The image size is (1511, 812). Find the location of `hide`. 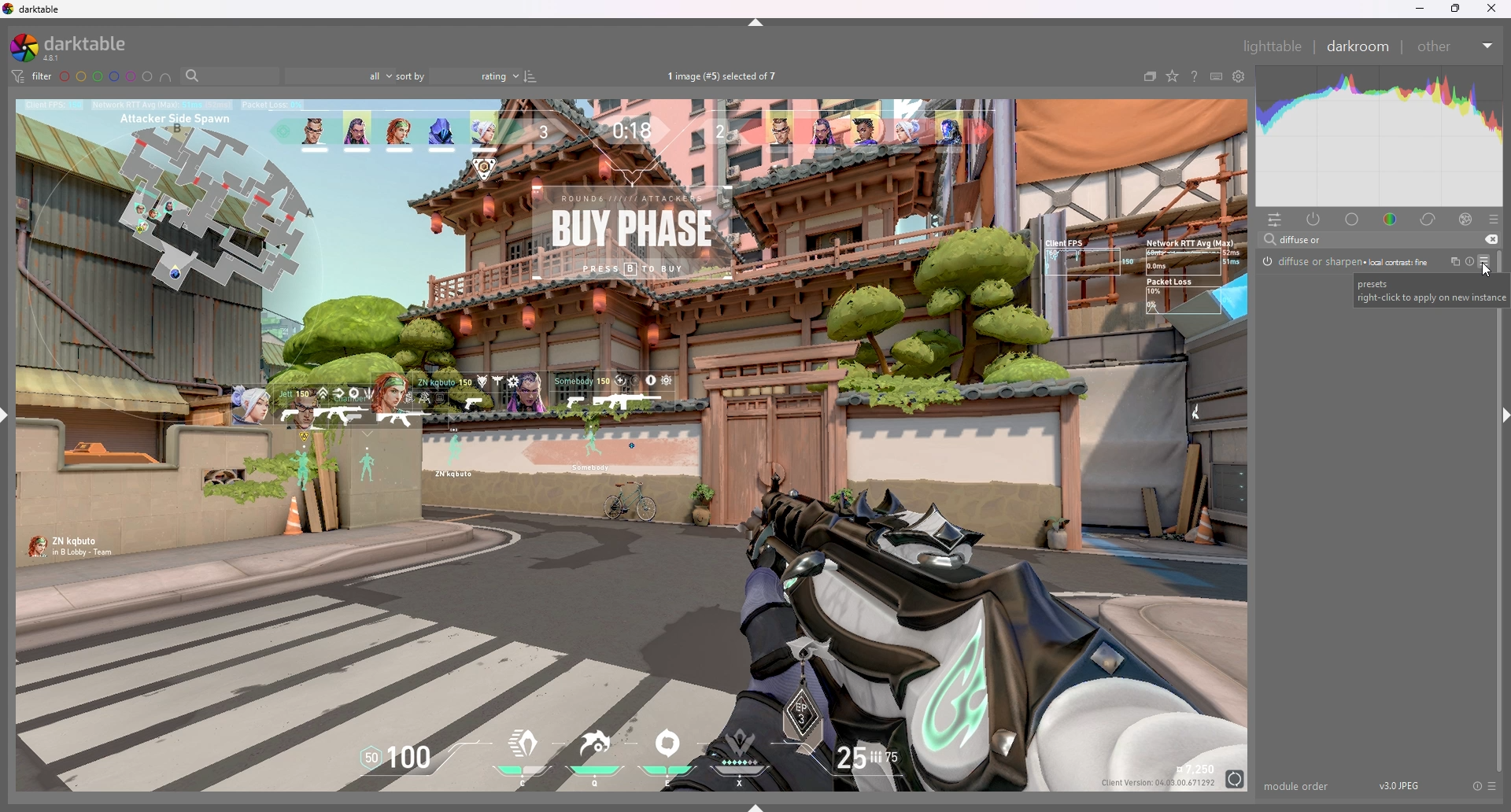

hide is located at coordinates (1502, 417).